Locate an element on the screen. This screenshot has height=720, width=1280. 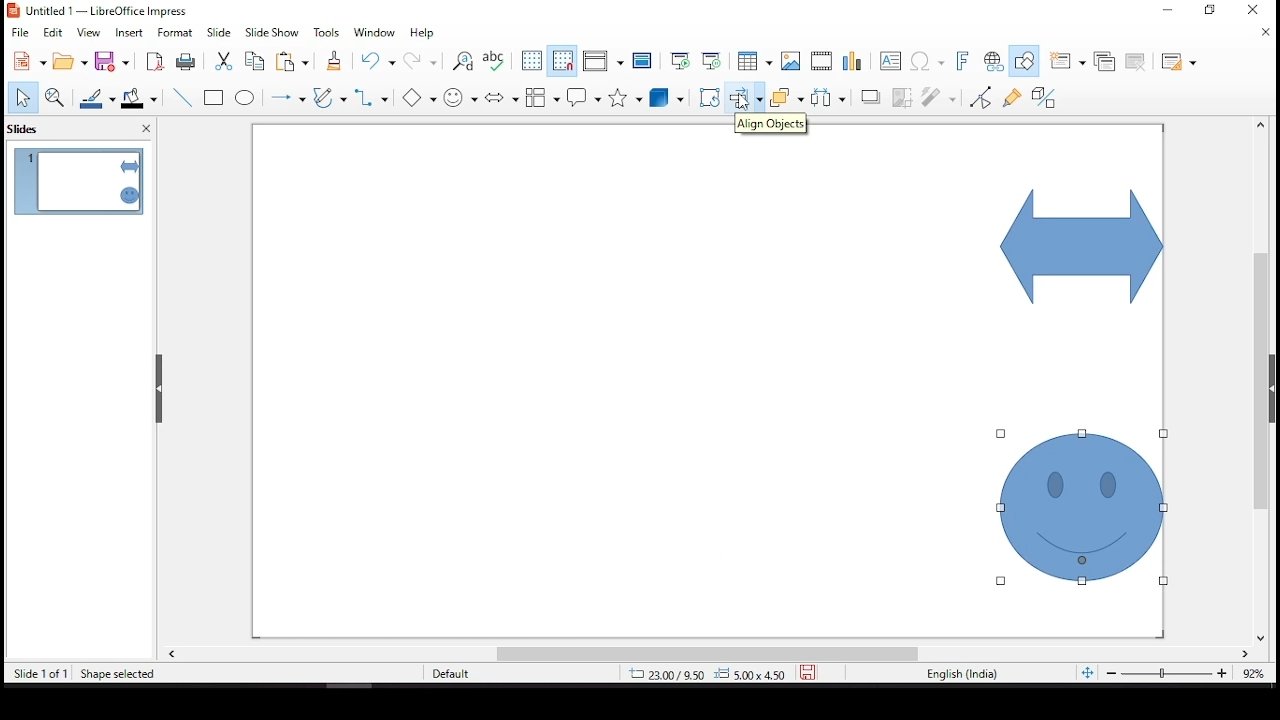
delete slide is located at coordinates (1135, 62).